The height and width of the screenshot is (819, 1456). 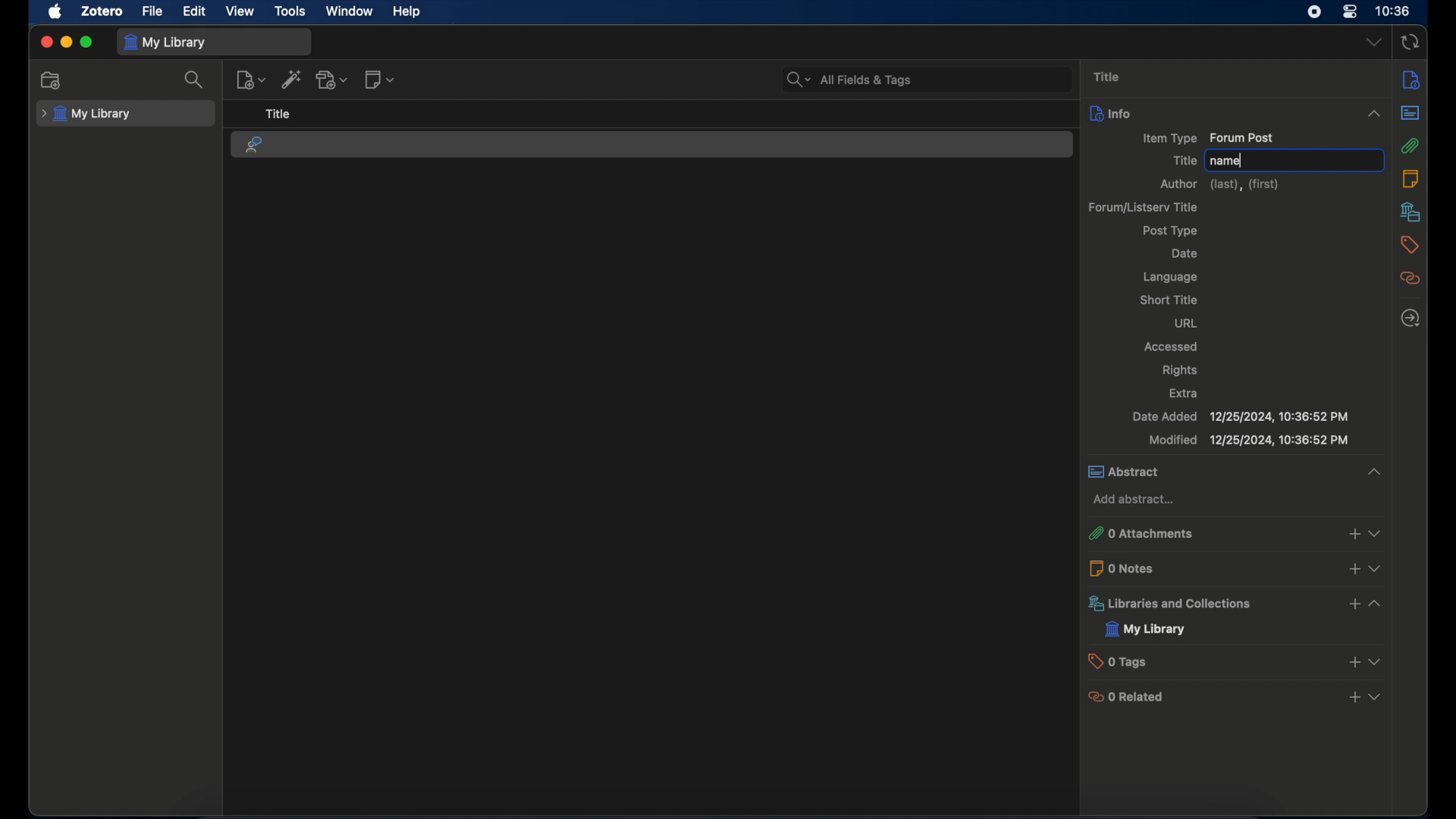 What do you see at coordinates (409, 12) in the screenshot?
I see `help` at bounding box center [409, 12].